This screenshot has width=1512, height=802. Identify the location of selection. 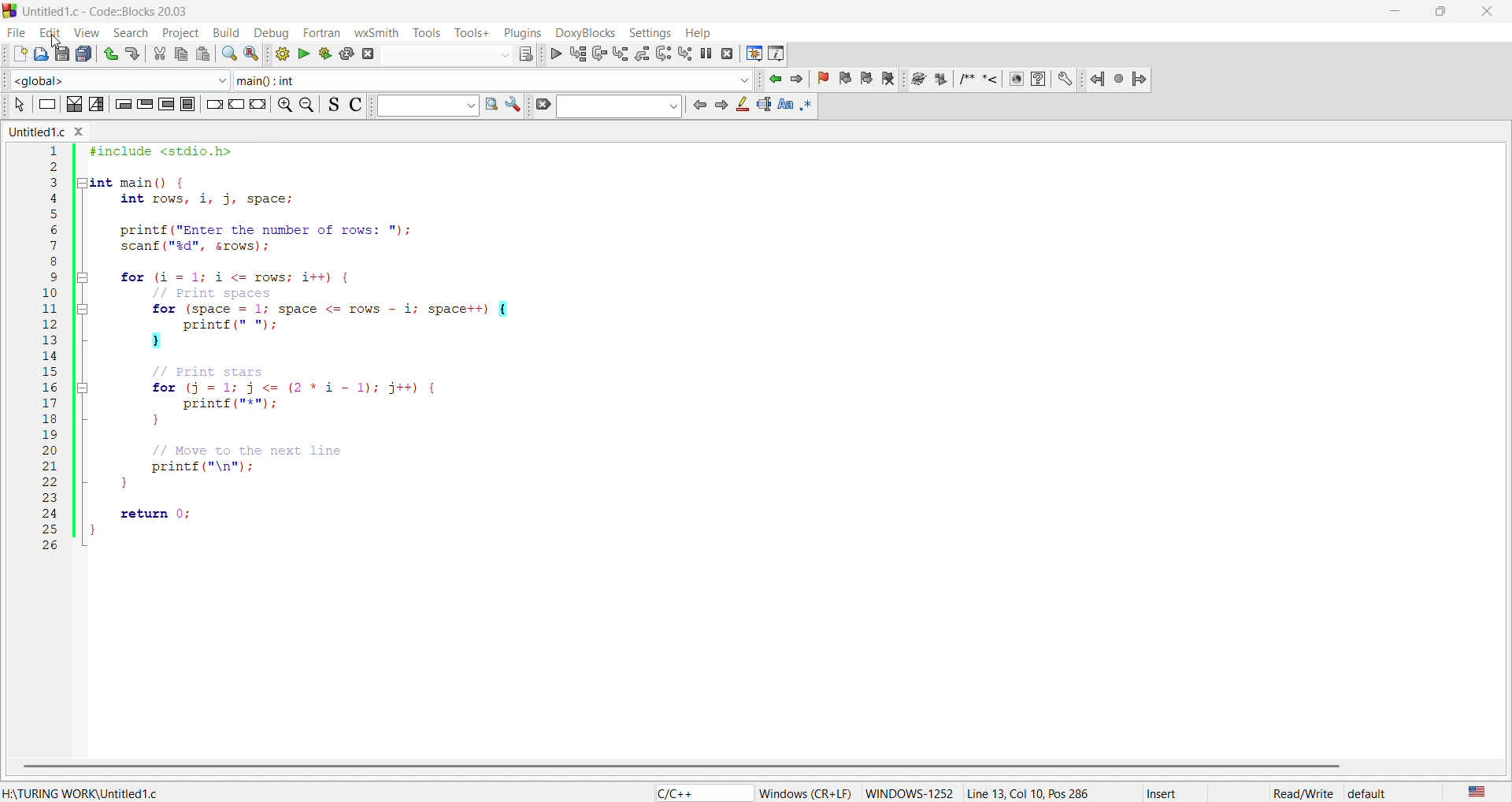
(96, 104).